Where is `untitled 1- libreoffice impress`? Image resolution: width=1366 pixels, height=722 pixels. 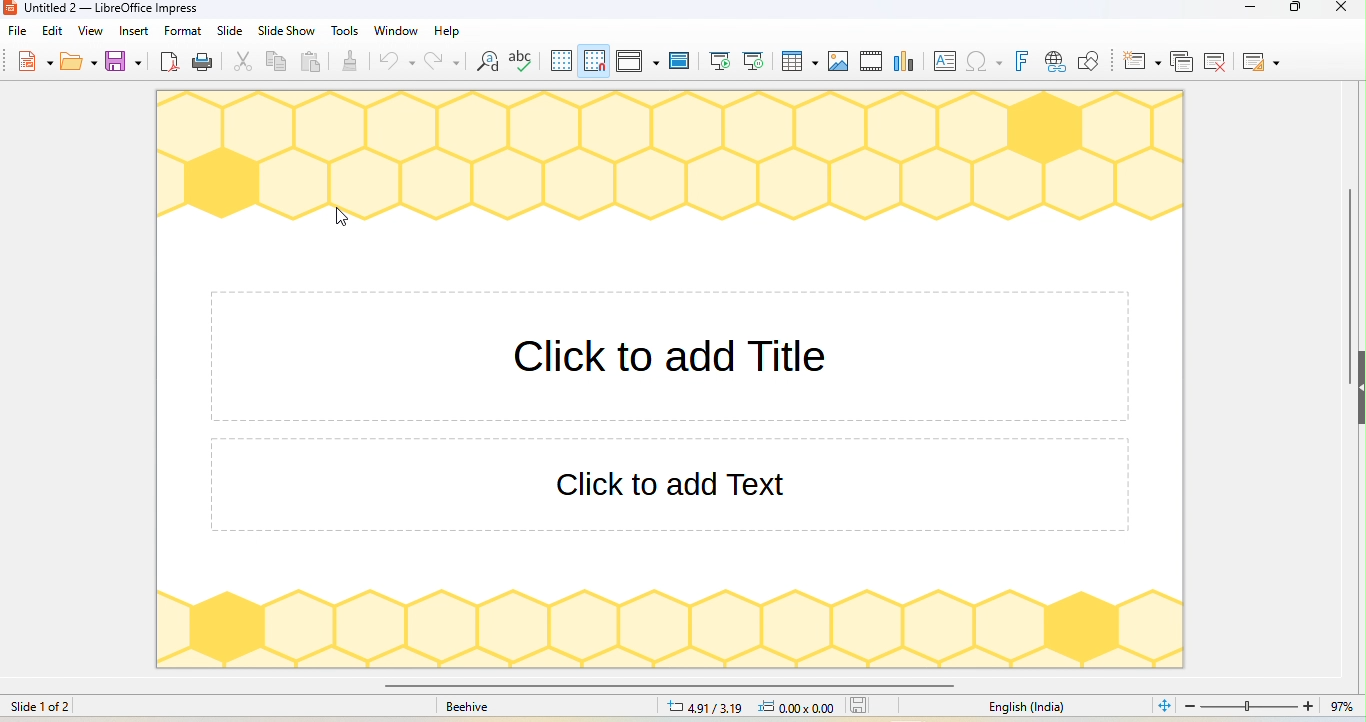 untitled 1- libreoffice impress is located at coordinates (126, 9).